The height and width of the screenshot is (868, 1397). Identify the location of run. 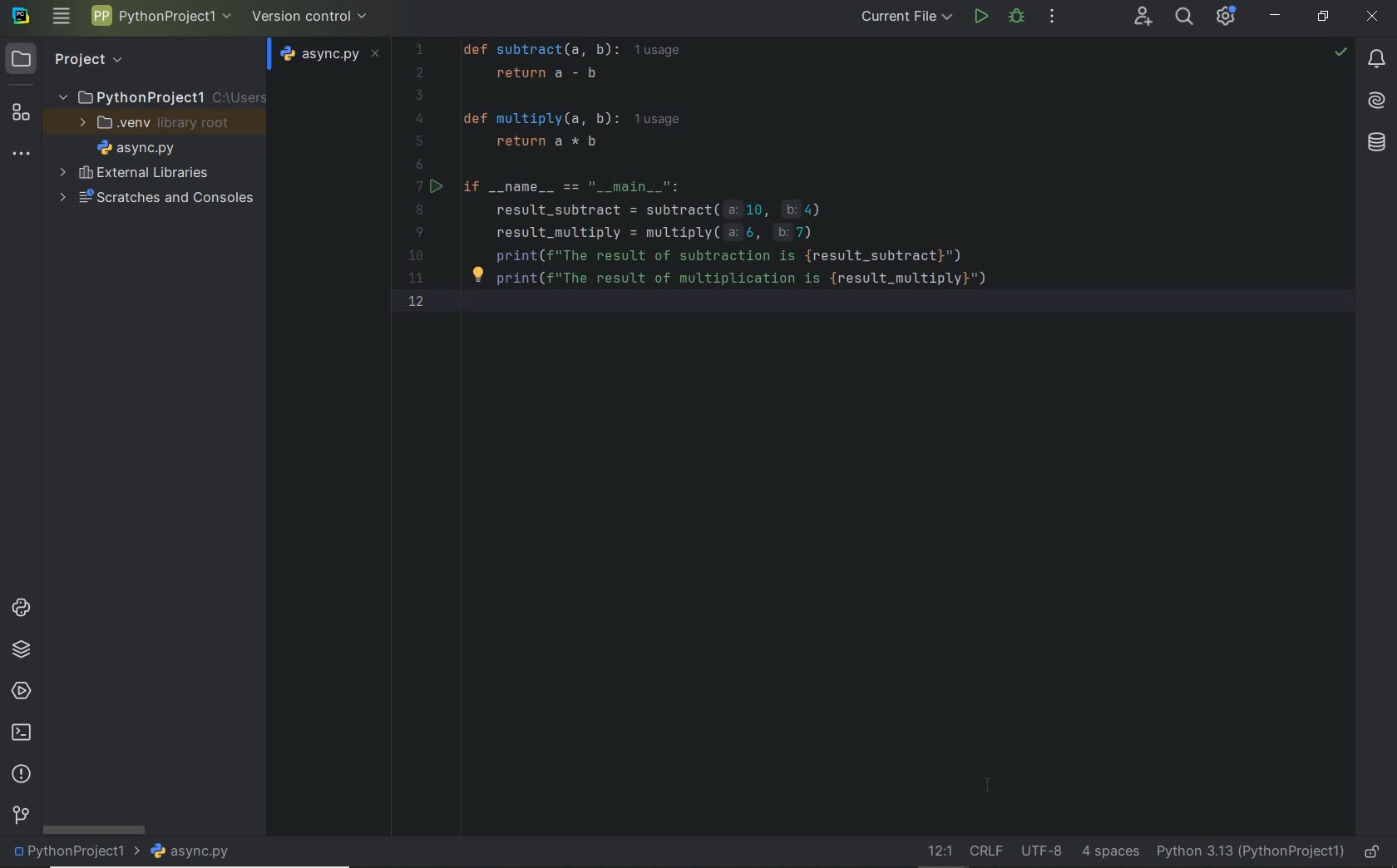
(980, 18).